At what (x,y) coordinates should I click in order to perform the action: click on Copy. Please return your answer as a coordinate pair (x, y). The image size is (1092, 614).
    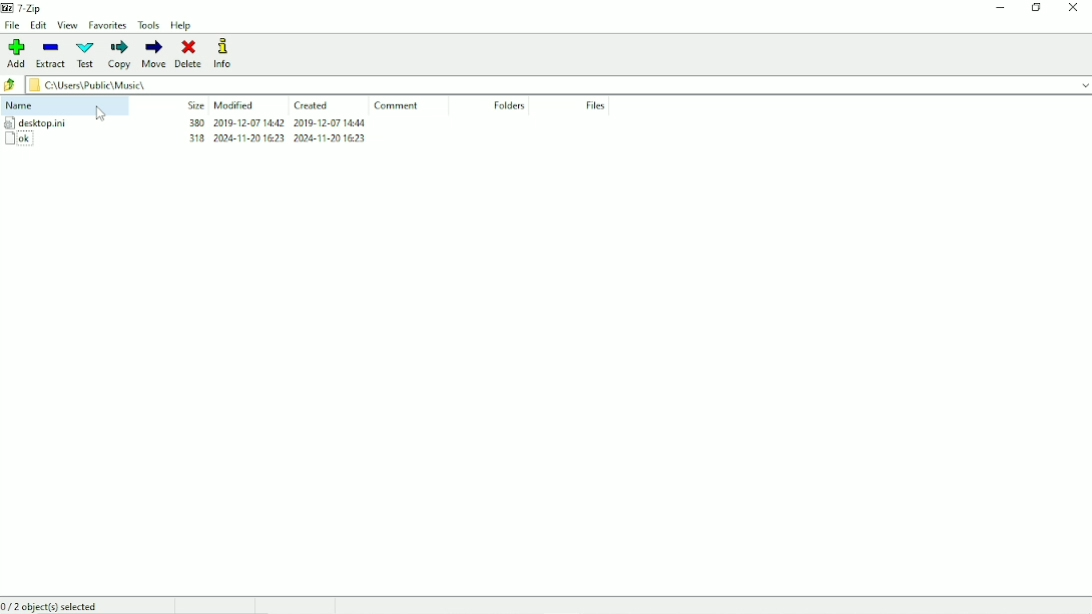
    Looking at the image, I should click on (119, 55).